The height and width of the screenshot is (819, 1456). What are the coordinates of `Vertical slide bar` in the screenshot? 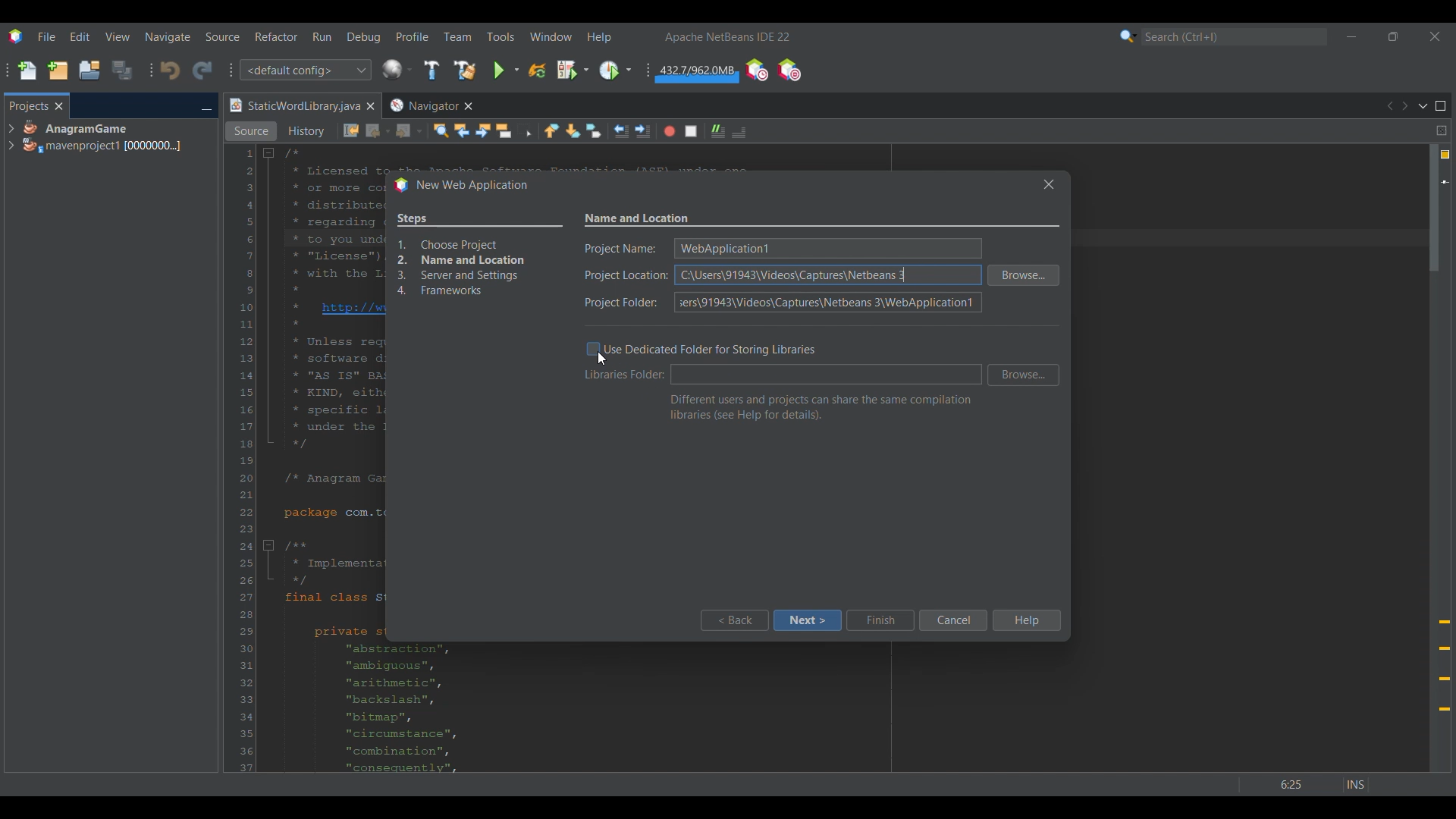 It's located at (1434, 458).